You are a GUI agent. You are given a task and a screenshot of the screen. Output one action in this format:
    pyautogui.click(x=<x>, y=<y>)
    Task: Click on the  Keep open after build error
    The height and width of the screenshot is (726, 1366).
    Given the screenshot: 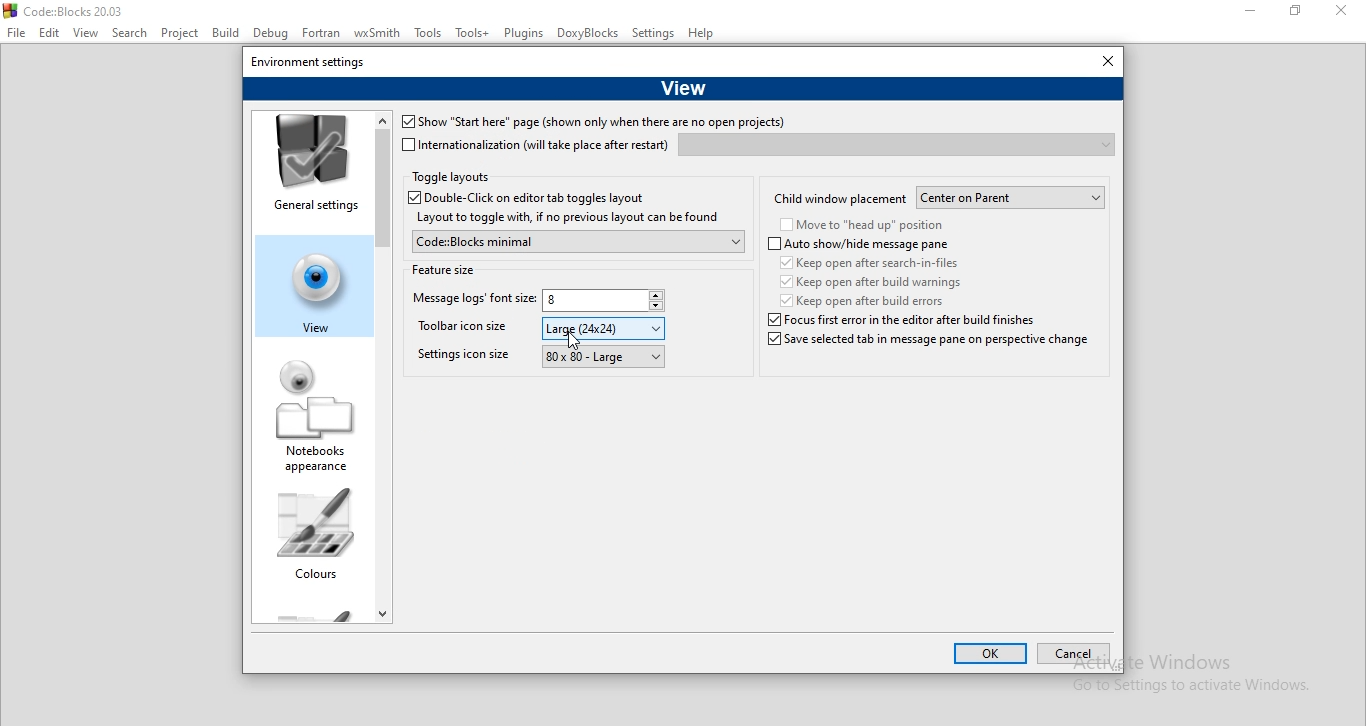 What is the action you would take?
    pyautogui.click(x=864, y=300)
    